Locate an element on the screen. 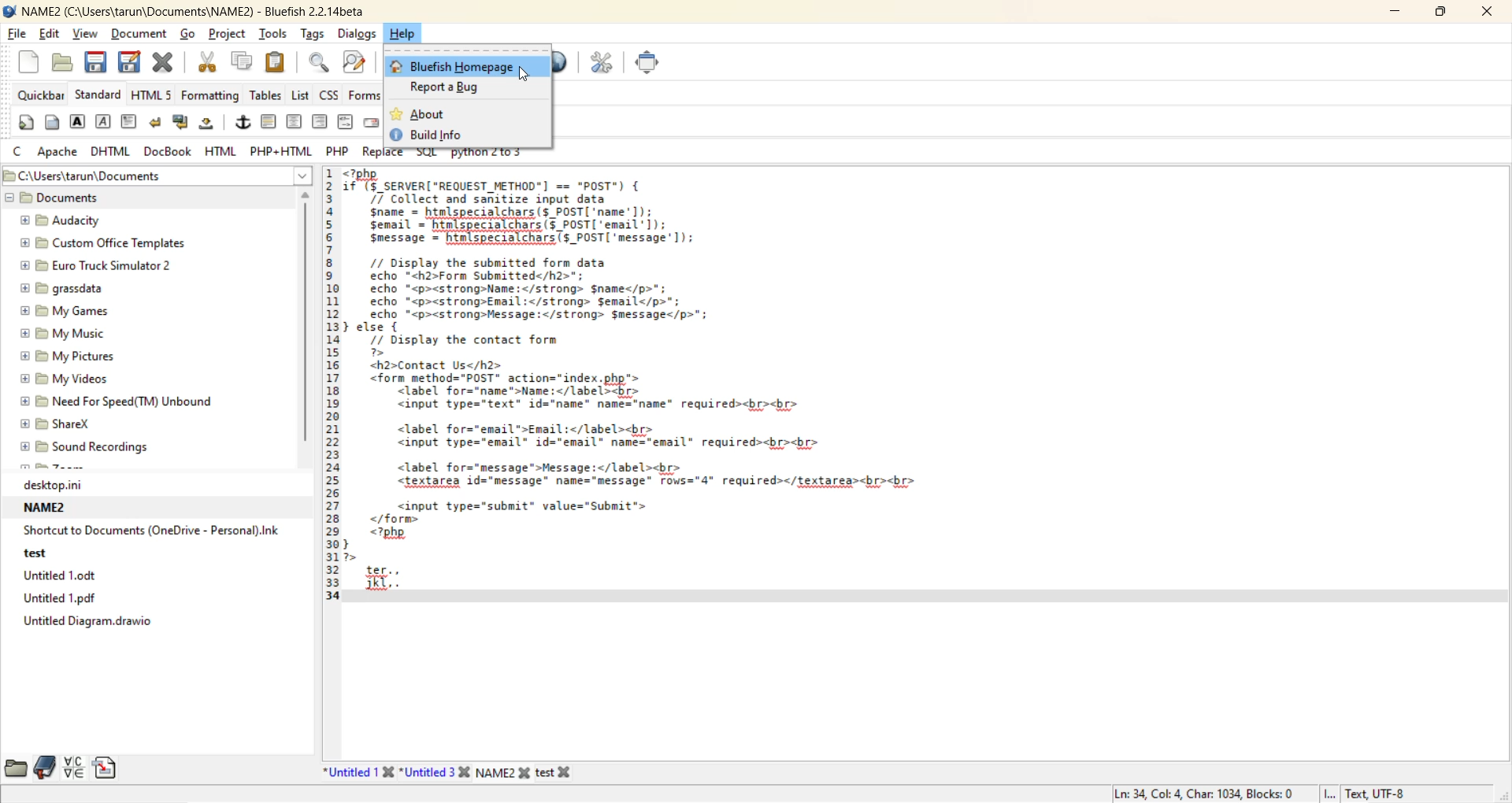 This screenshot has width=1512, height=803. non breaking space is located at coordinates (213, 124).